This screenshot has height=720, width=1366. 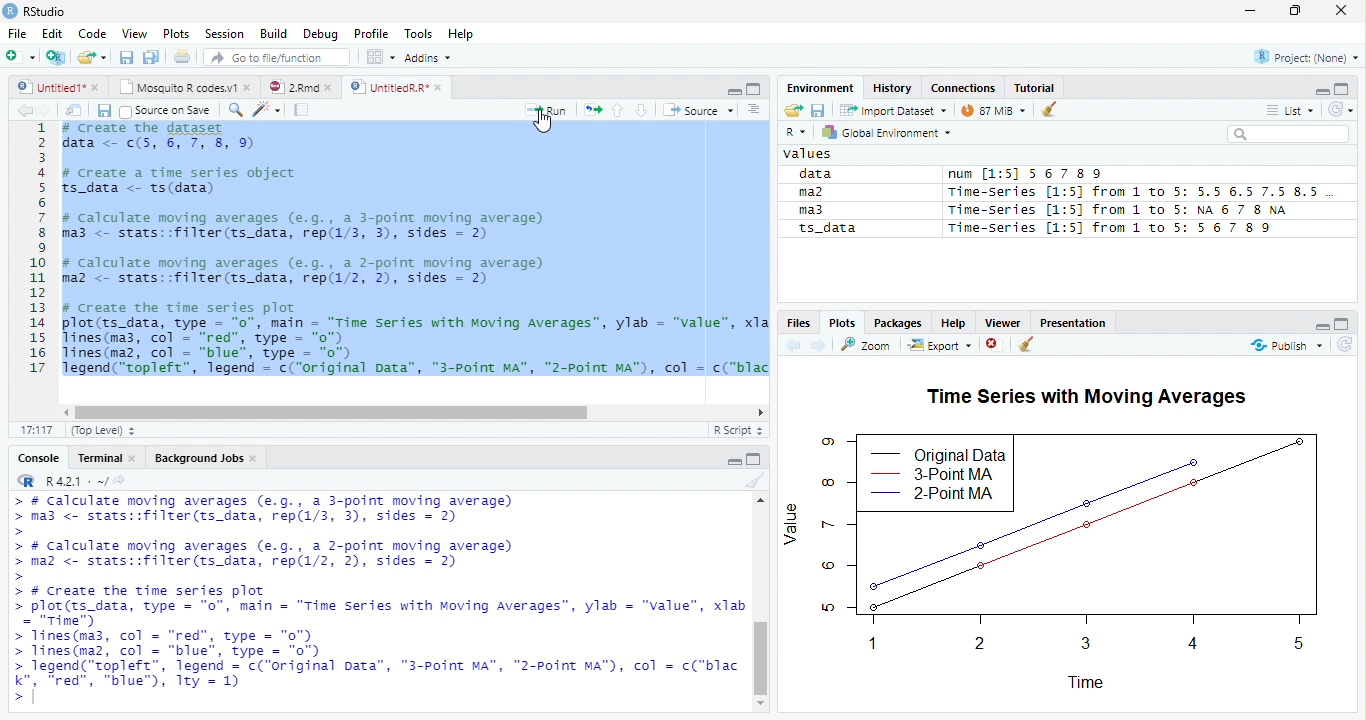 I want to click on close, so click(x=97, y=88).